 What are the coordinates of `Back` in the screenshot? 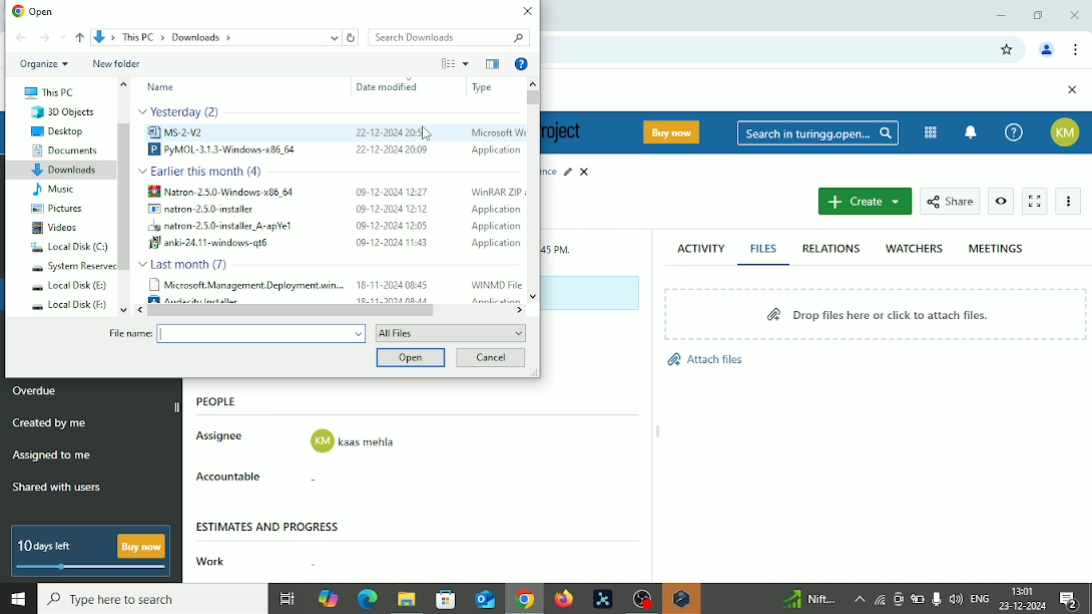 It's located at (21, 37).